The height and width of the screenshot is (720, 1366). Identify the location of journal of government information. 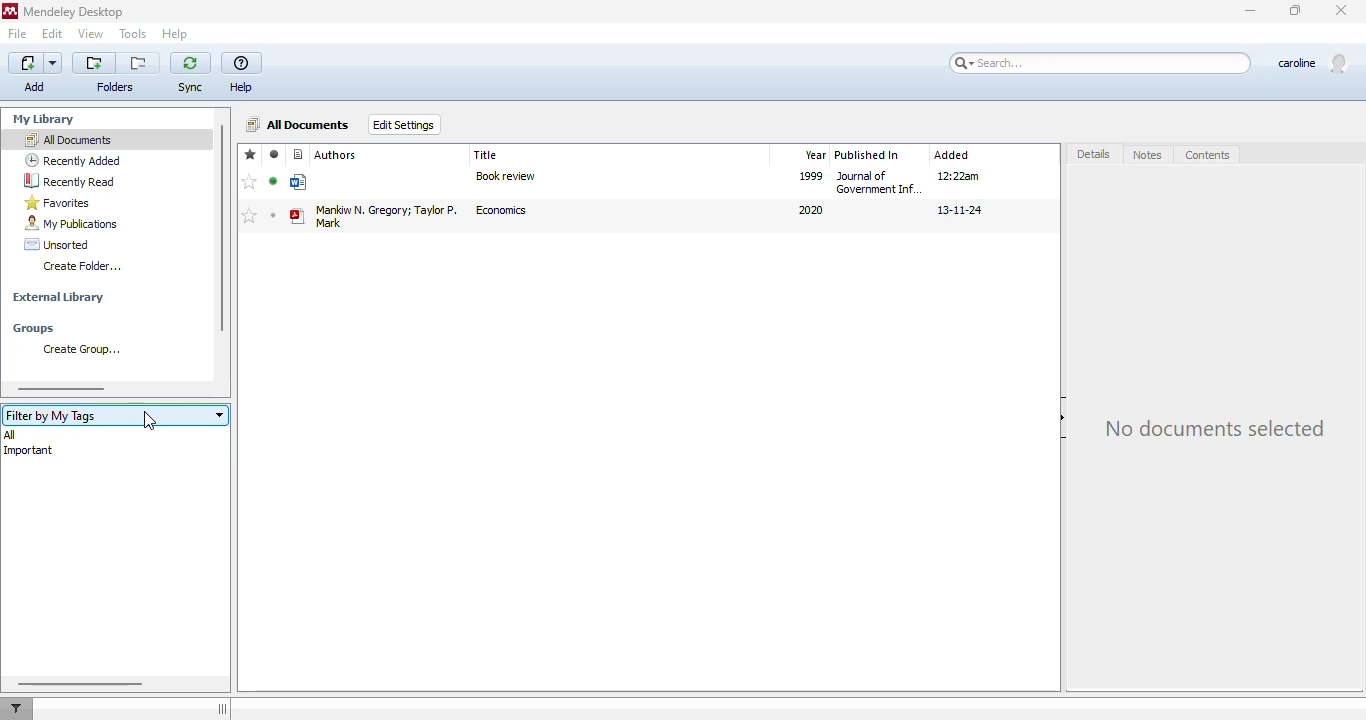
(879, 182).